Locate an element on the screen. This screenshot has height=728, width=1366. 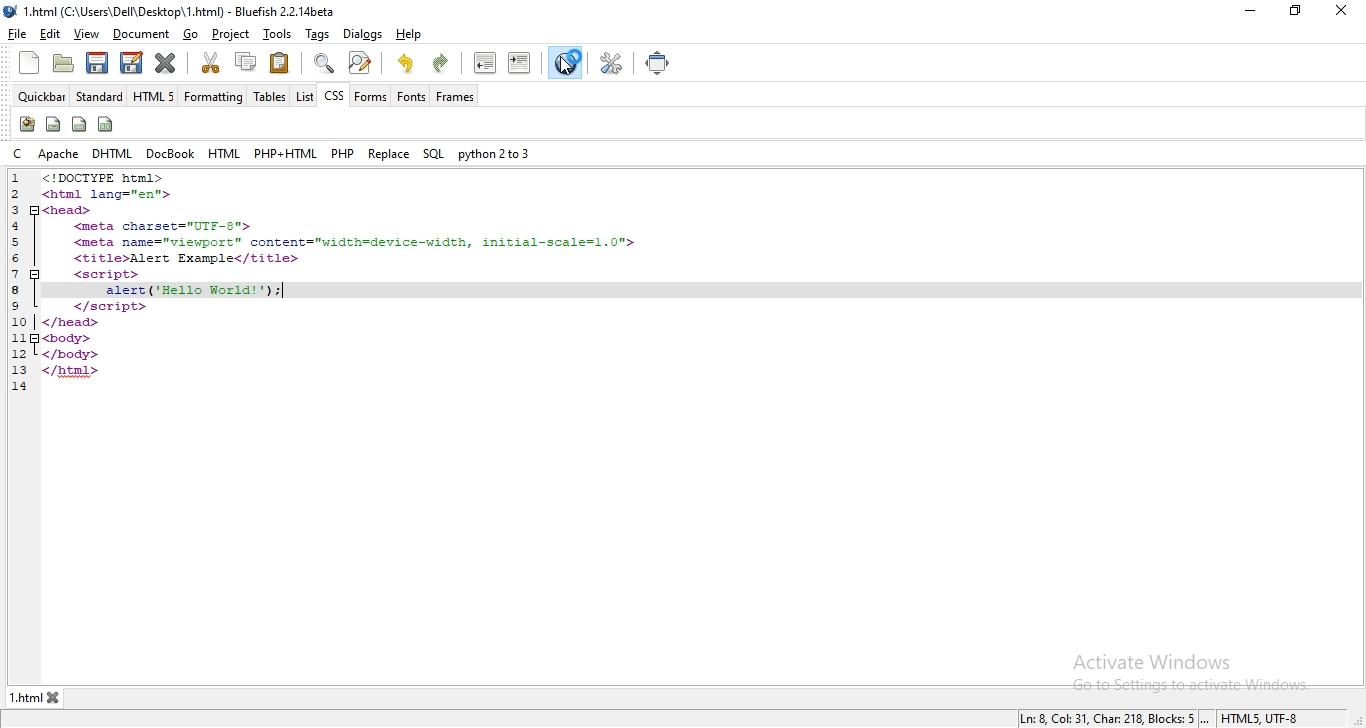
quickbar is located at coordinates (40, 95).